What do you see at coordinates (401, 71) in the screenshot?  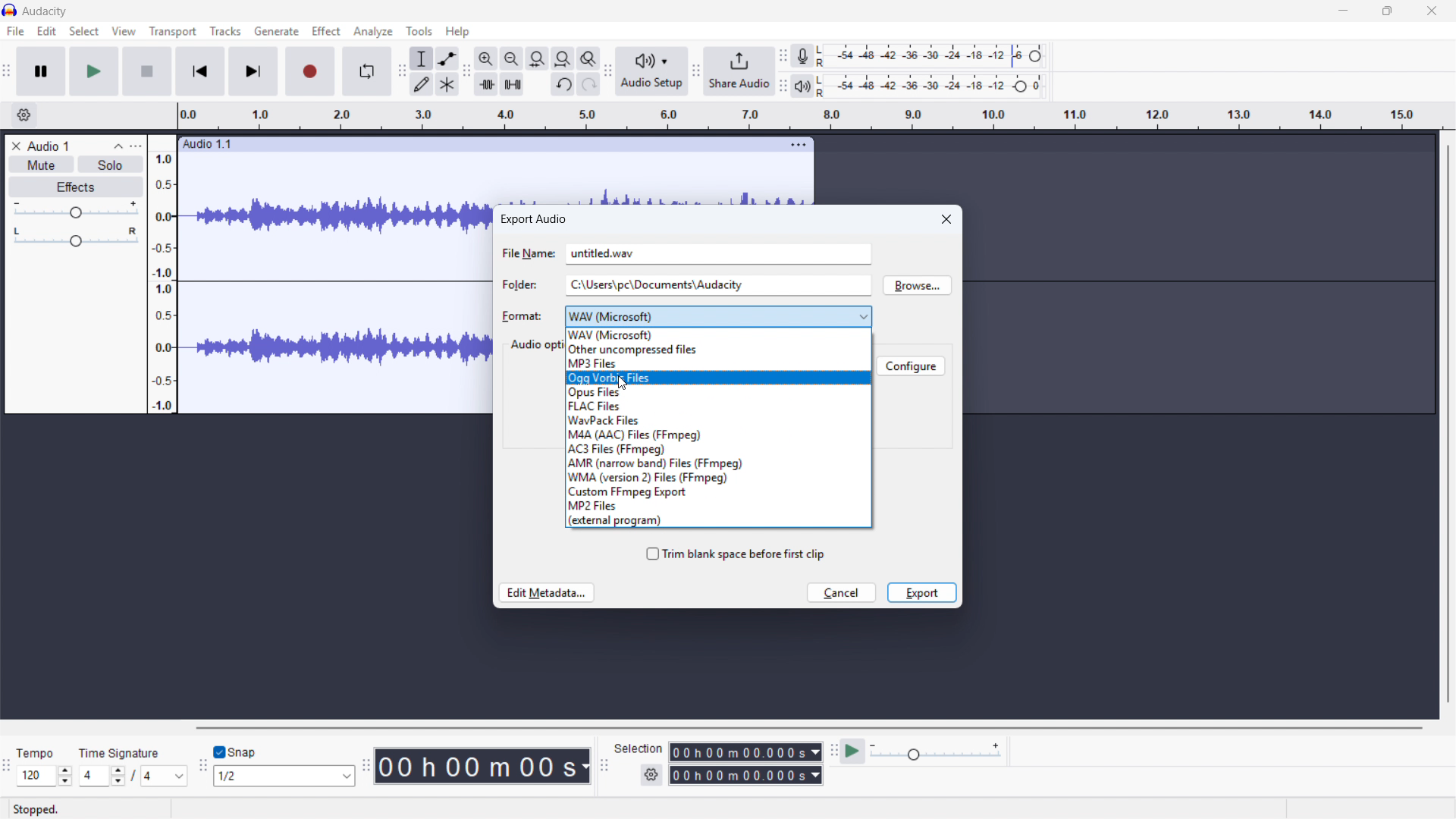 I see `Tools toolbar ` at bounding box center [401, 71].